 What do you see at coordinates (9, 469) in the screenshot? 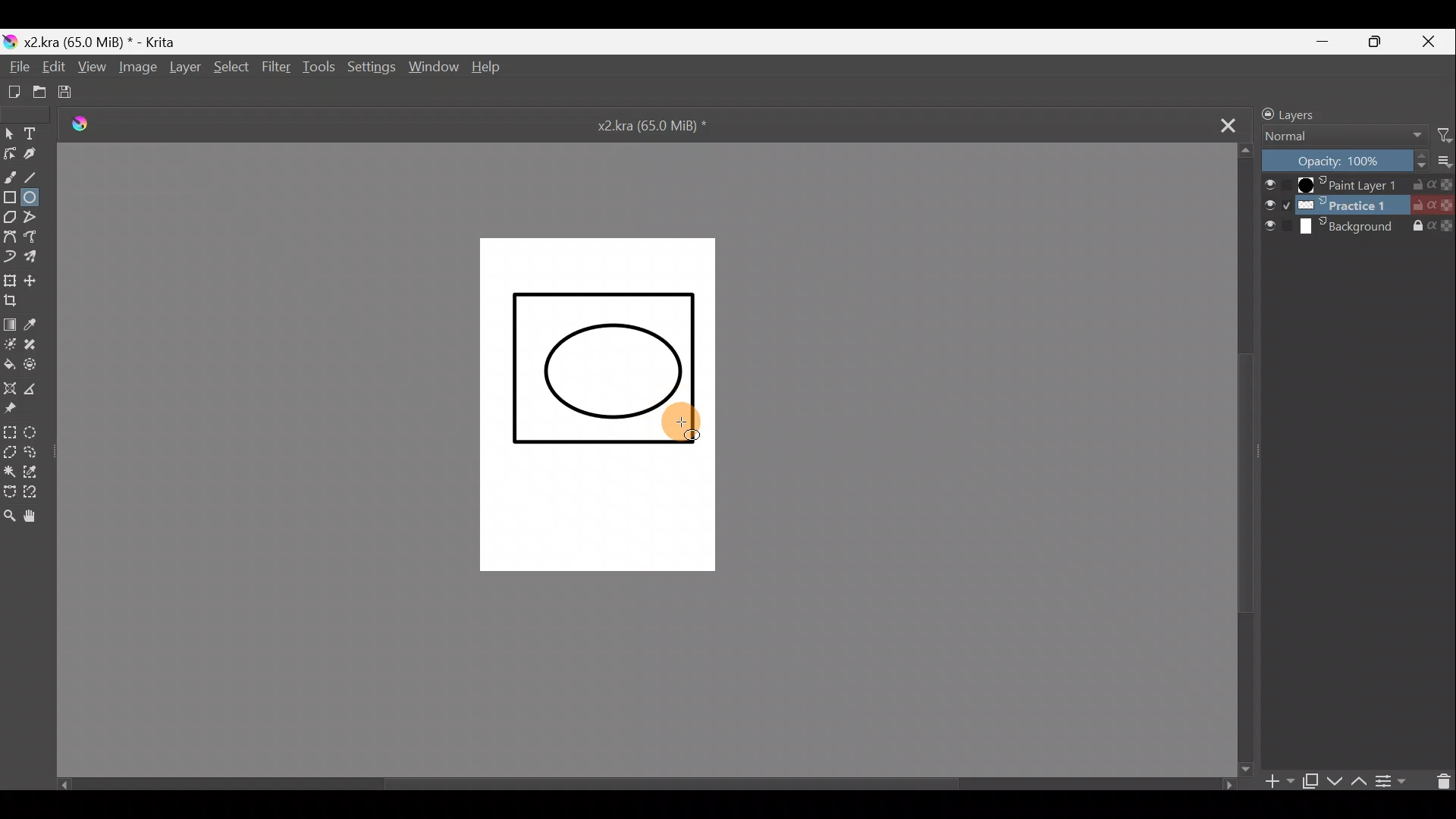
I see `Contiguous selection tool` at bounding box center [9, 469].